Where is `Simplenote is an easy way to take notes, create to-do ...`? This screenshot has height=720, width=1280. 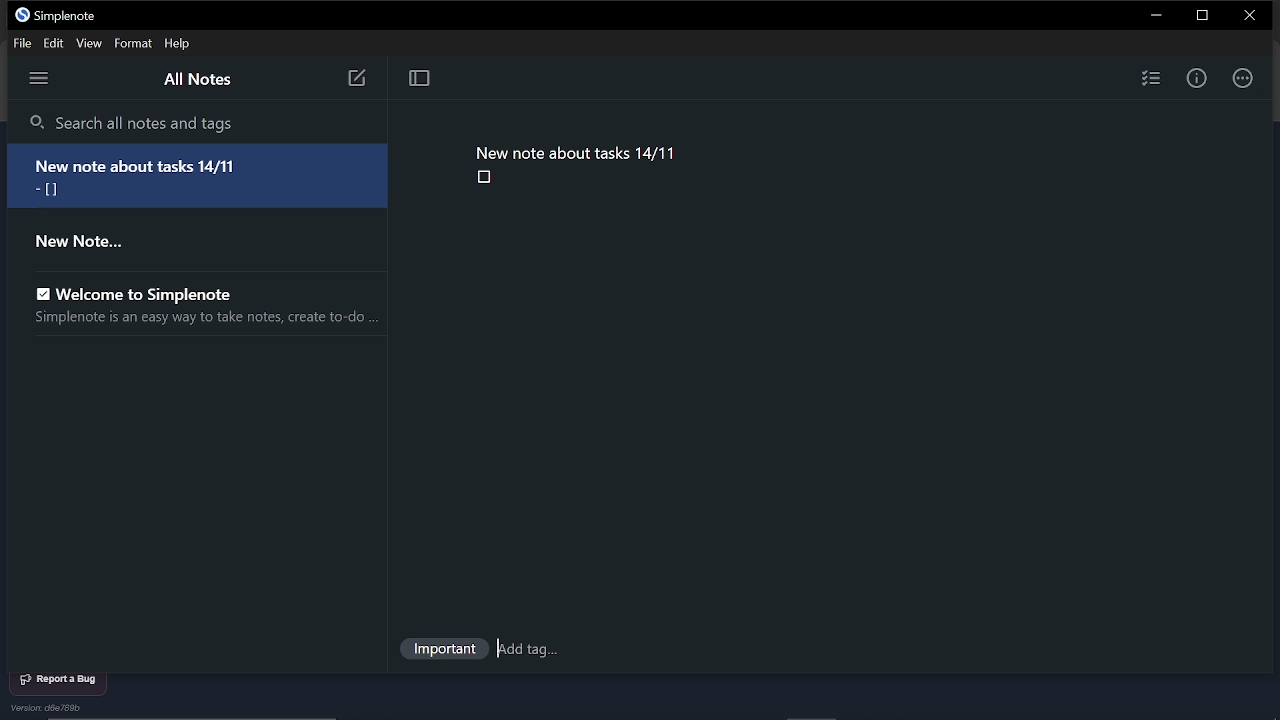
Simplenote is an easy way to take notes, create to-do ... is located at coordinates (201, 320).